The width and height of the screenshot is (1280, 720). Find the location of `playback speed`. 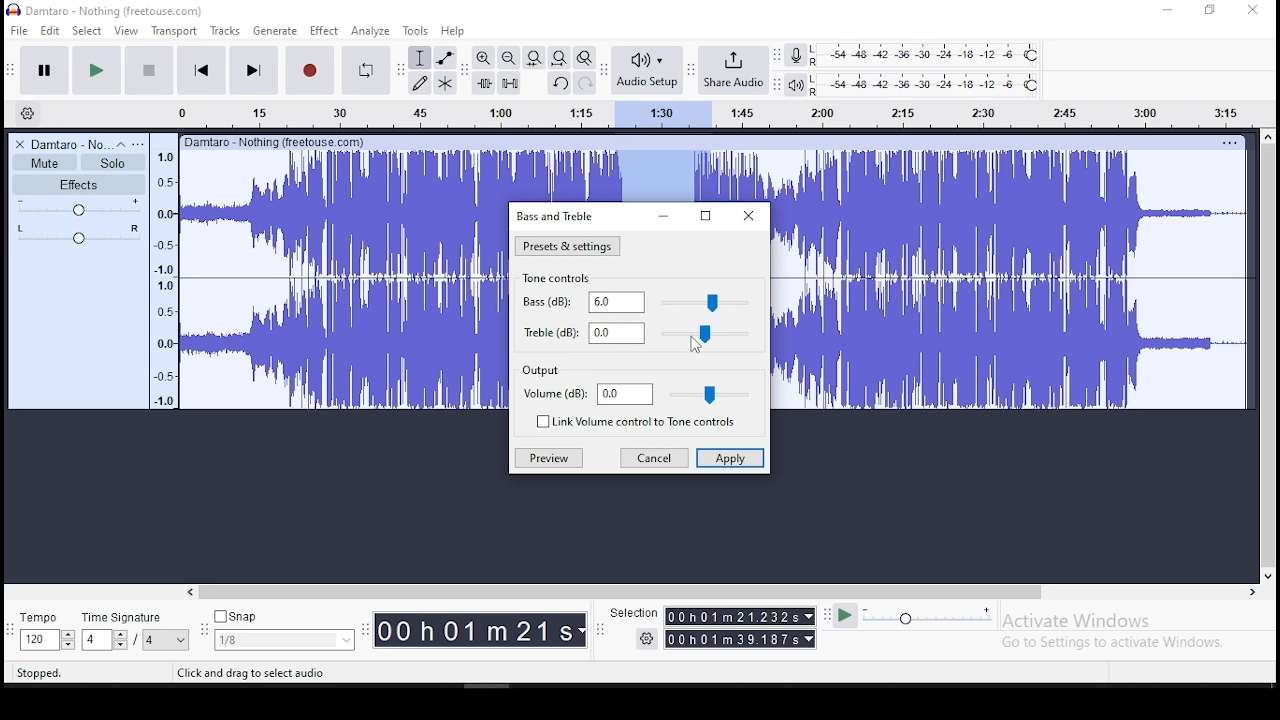

playback speed is located at coordinates (929, 615).